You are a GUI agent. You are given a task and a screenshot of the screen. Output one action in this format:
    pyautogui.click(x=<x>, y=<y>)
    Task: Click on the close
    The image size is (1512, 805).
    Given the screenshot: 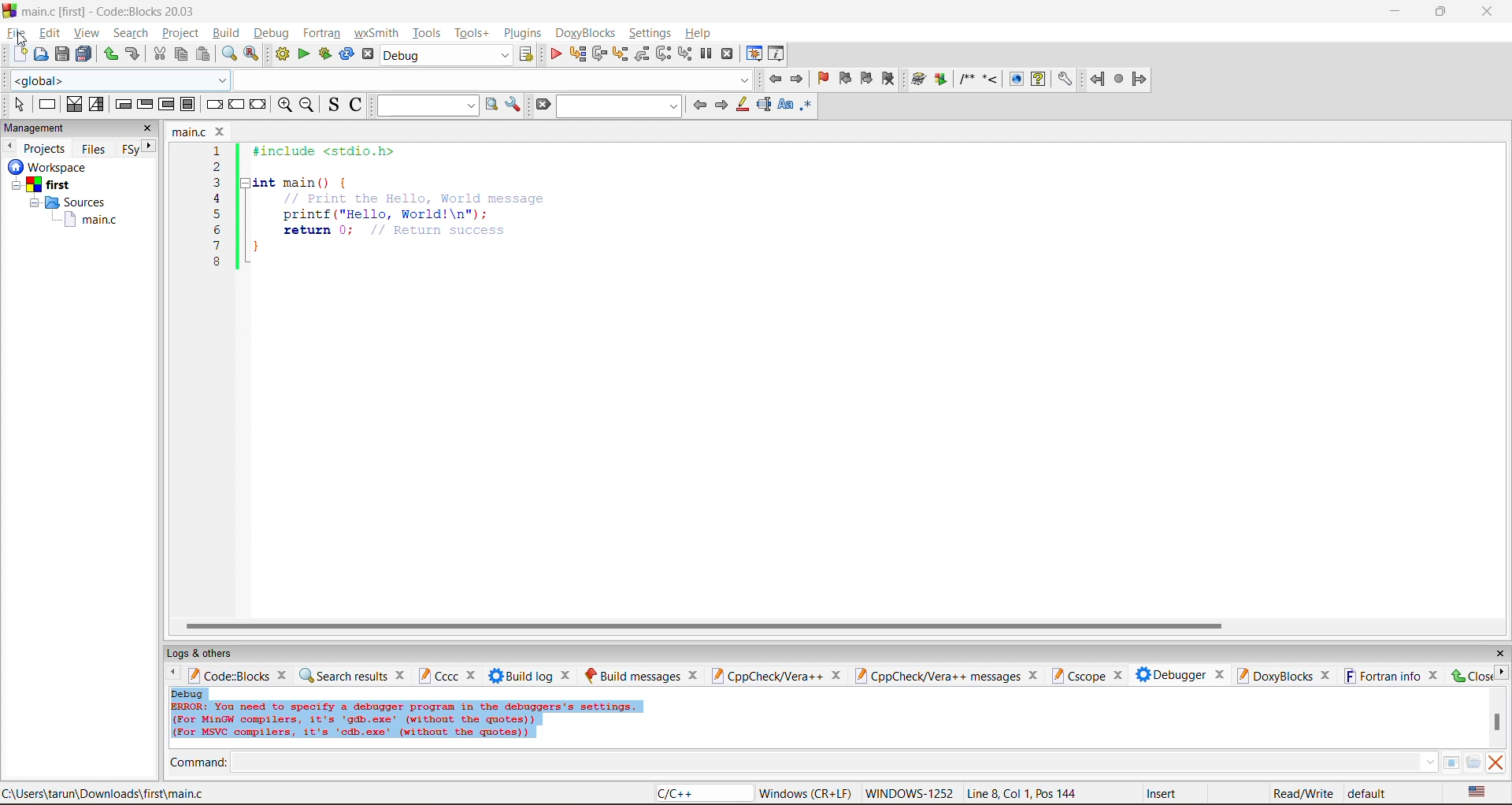 What is the action you would take?
    pyautogui.click(x=473, y=676)
    